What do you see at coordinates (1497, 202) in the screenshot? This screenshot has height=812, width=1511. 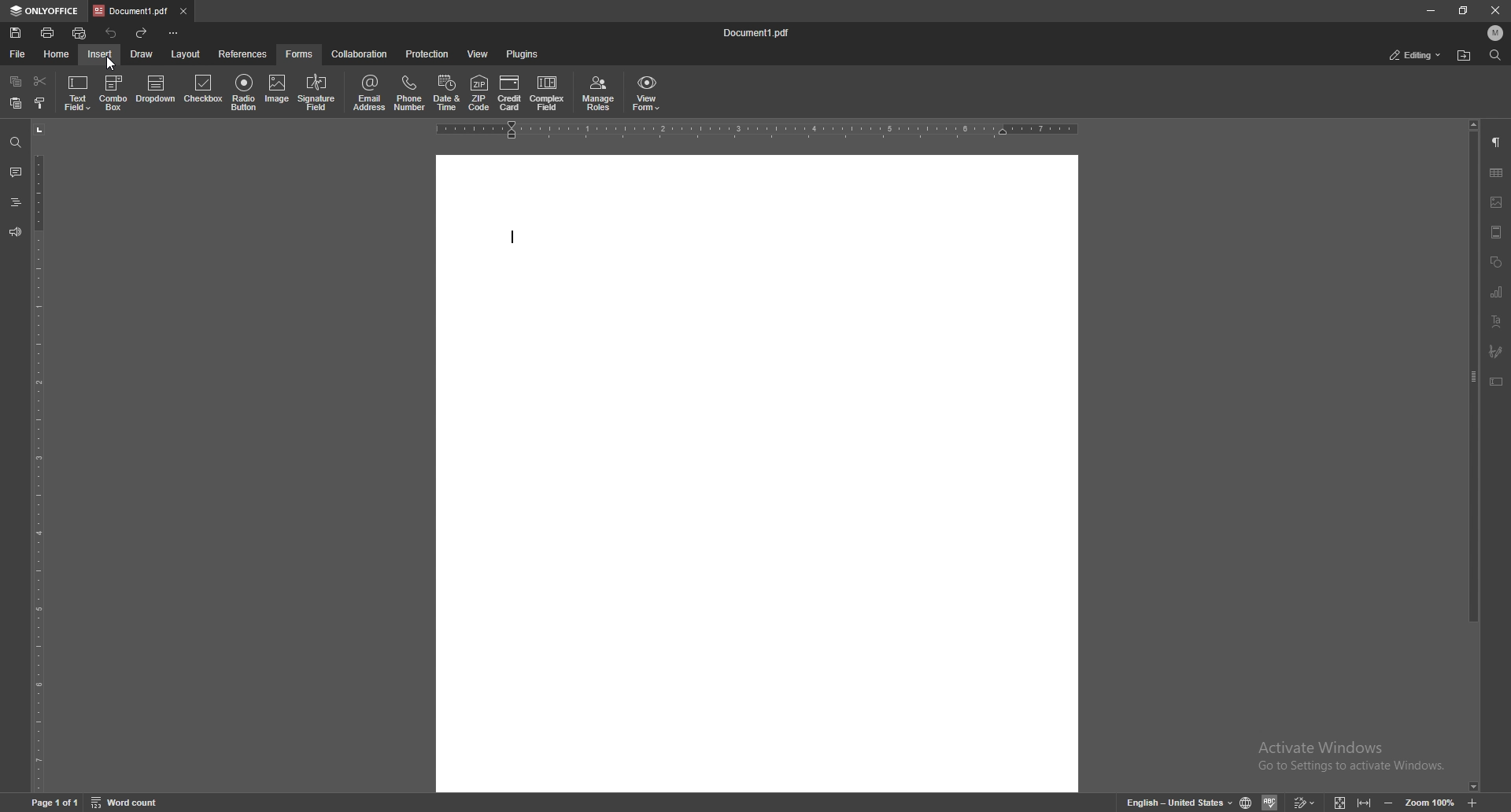 I see `image` at bounding box center [1497, 202].